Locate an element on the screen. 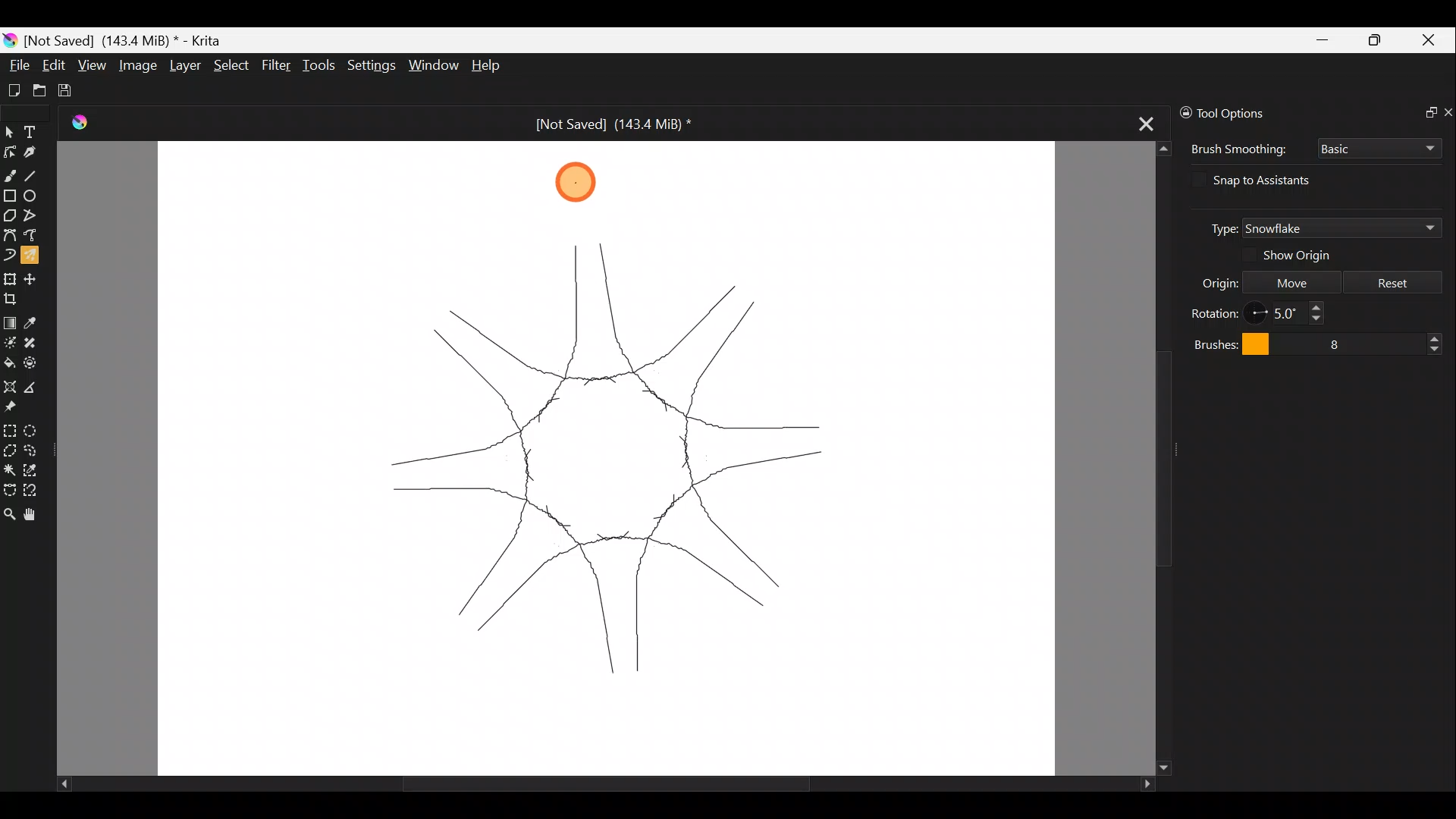 The image size is (1456, 819). Tool options is located at coordinates (1248, 113).